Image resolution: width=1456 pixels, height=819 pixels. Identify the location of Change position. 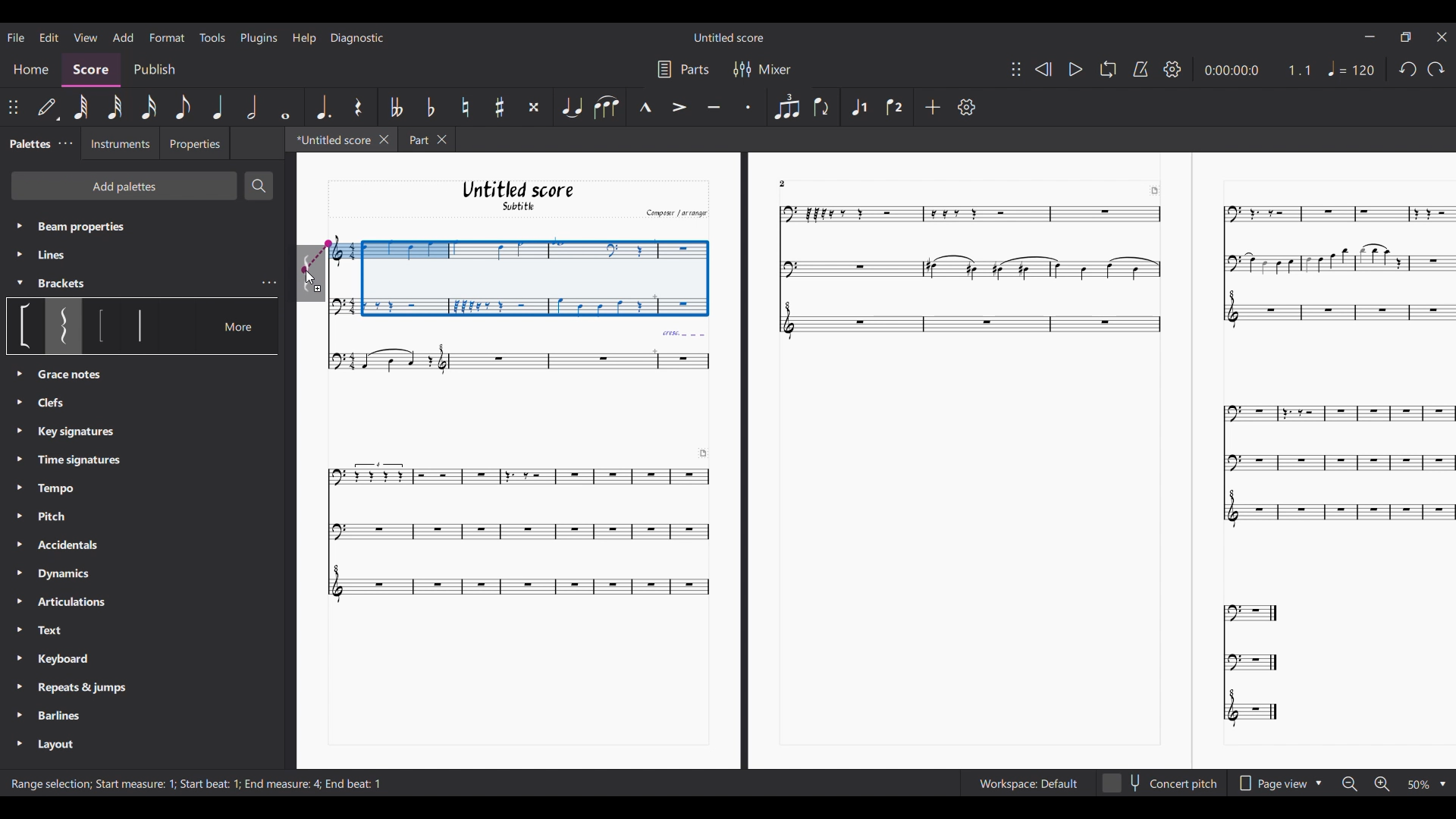
(1015, 68).